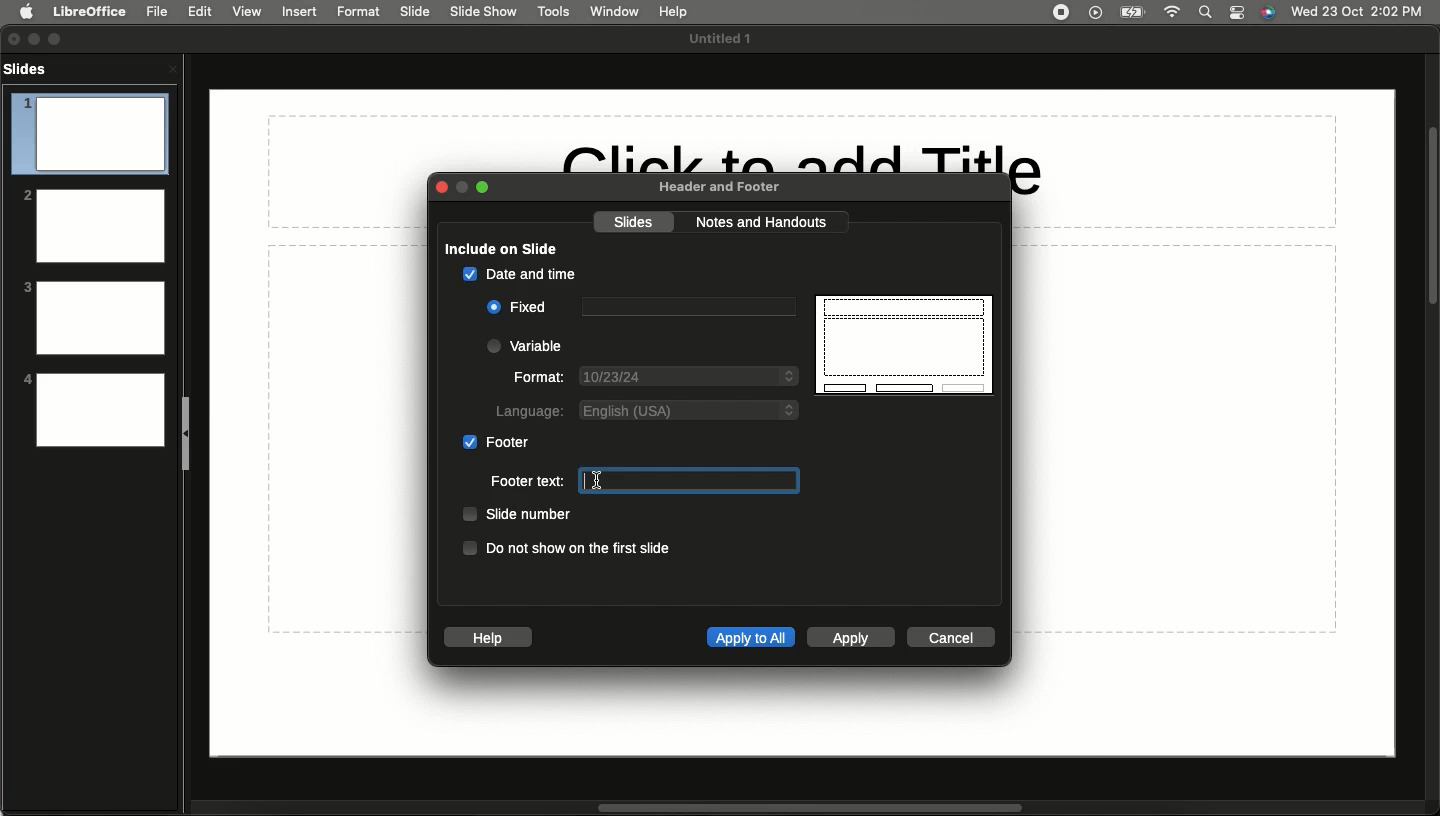 This screenshot has width=1440, height=816. I want to click on Text box, so click(685, 308).